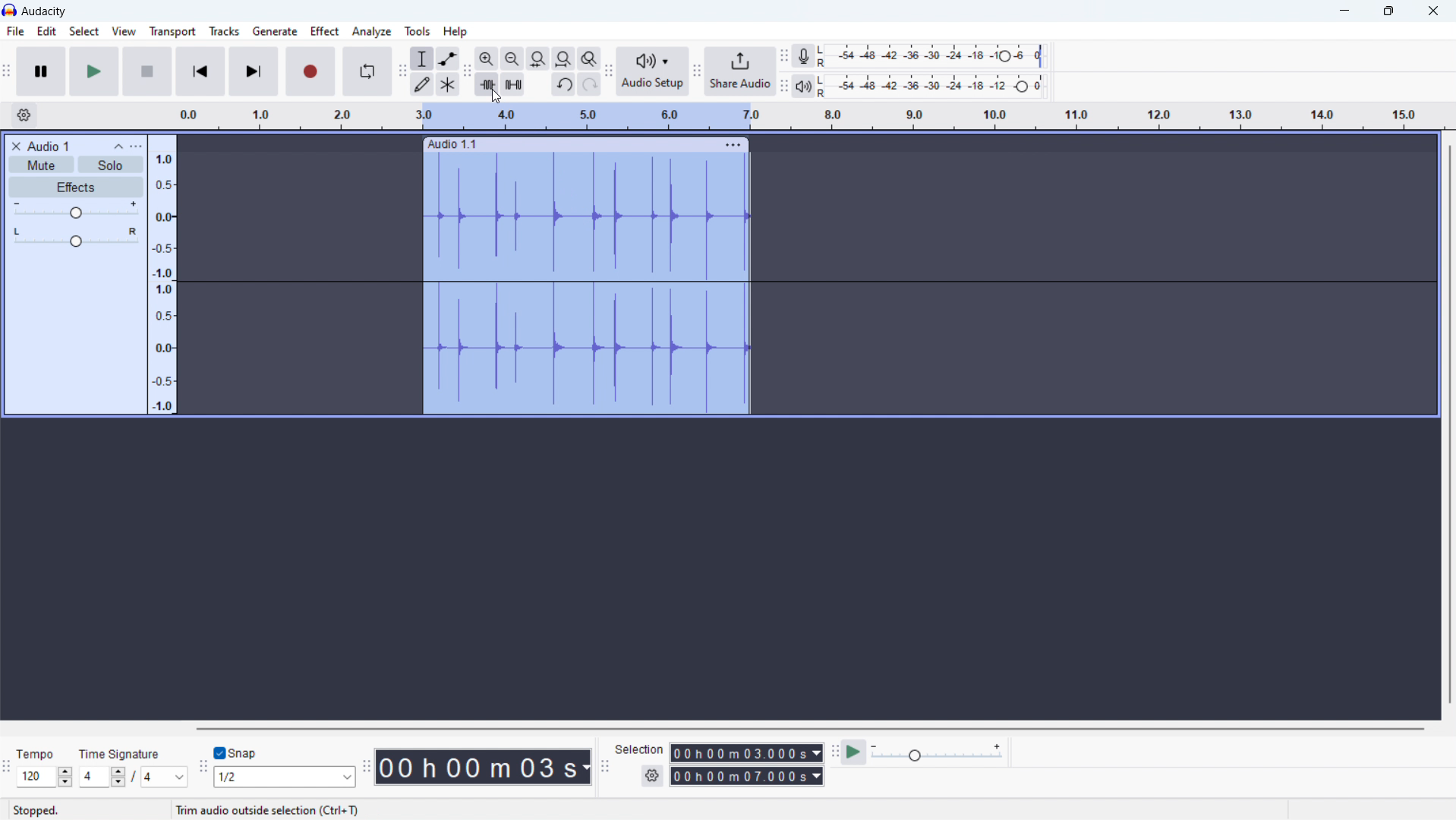  What do you see at coordinates (487, 84) in the screenshot?
I see `trim audio outside selection` at bounding box center [487, 84].